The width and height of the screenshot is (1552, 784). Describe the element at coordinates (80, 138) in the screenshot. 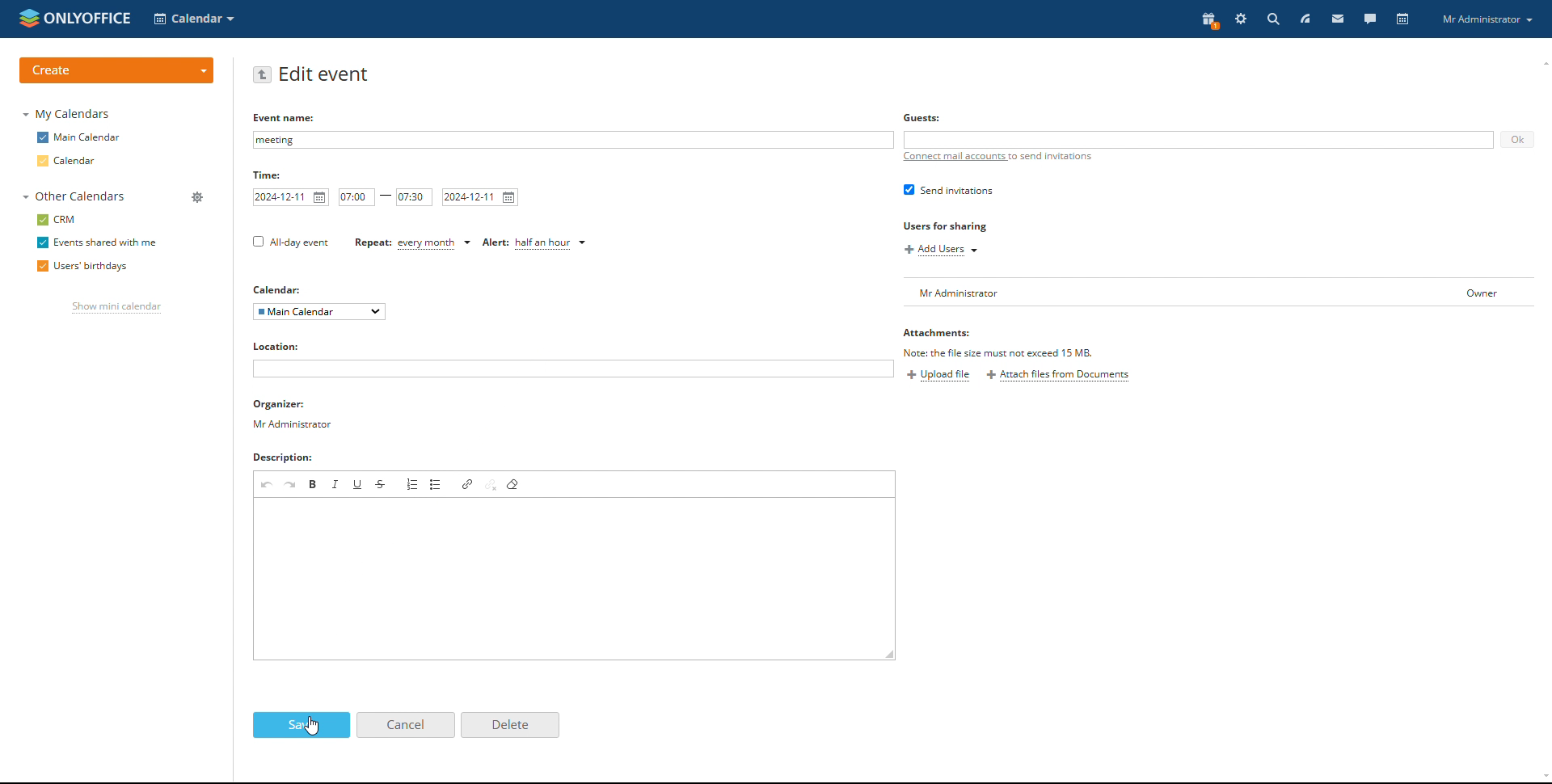

I see `main calendar` at that location.